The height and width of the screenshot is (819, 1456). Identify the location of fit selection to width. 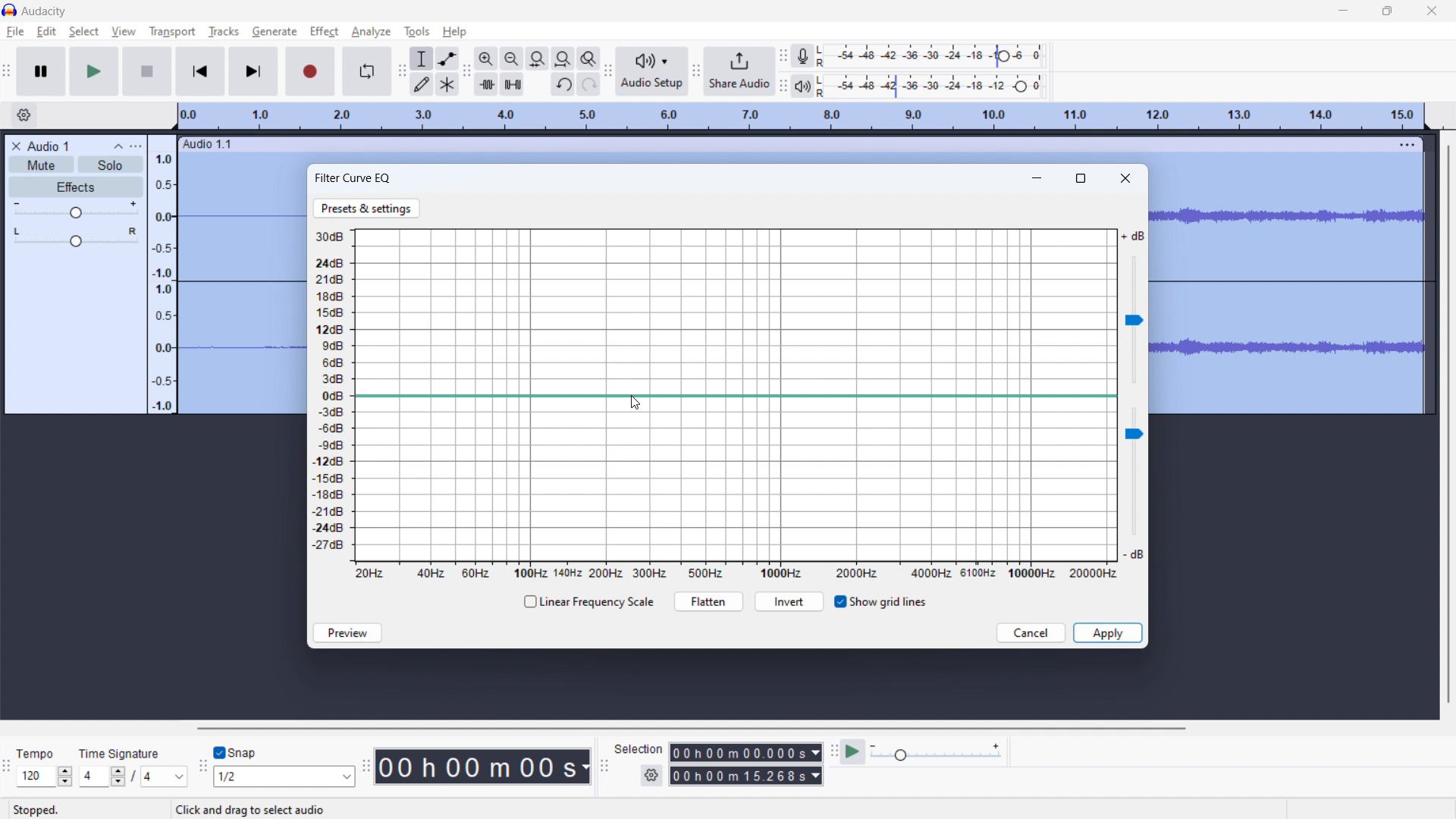
(537, 58).